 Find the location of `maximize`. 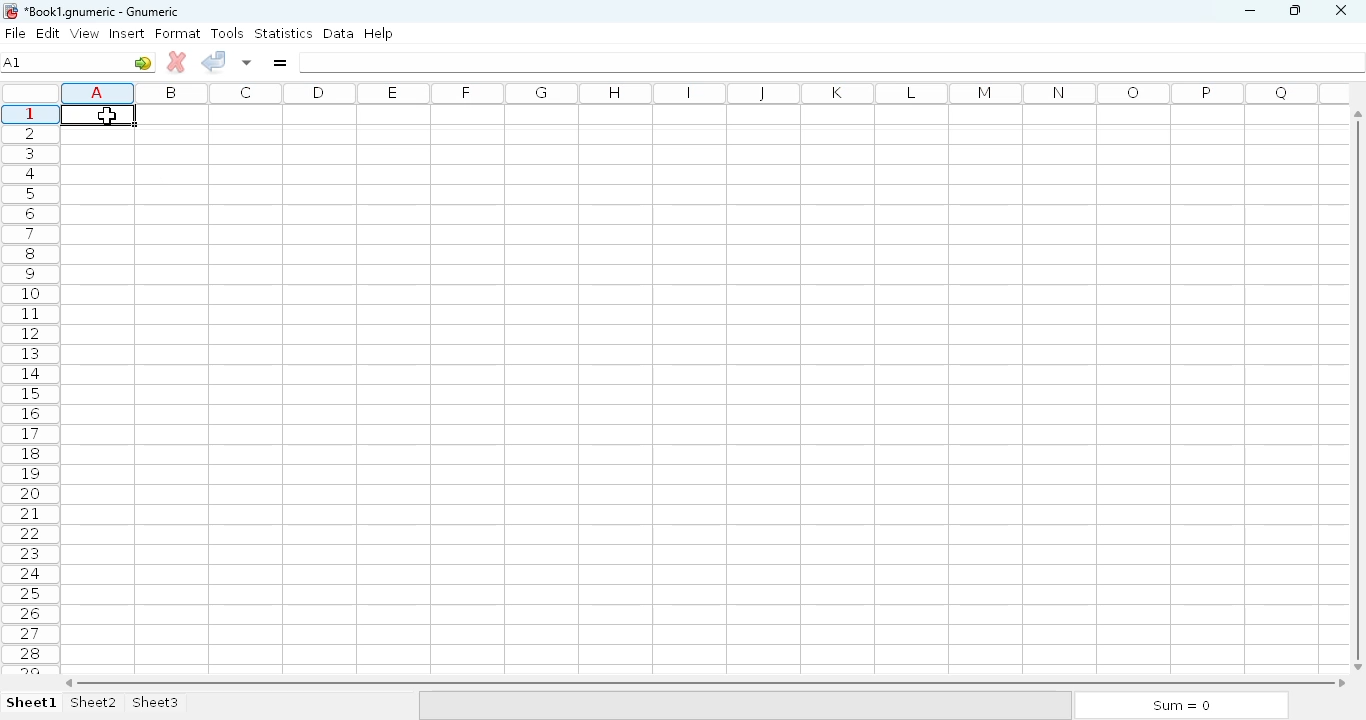

maximize is located at coordinates (1294, 9).